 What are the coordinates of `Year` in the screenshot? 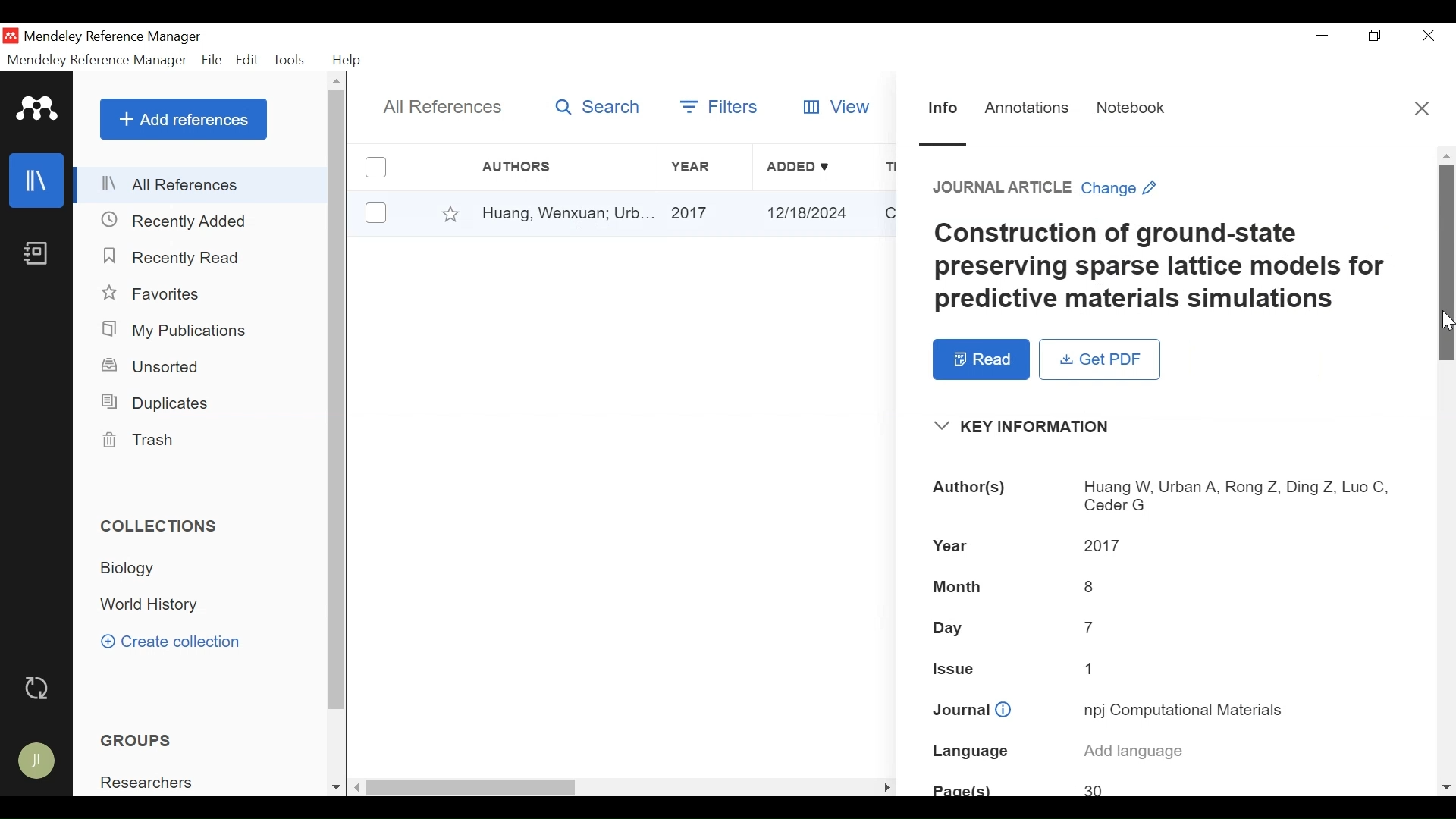 It's located at (703, 167).